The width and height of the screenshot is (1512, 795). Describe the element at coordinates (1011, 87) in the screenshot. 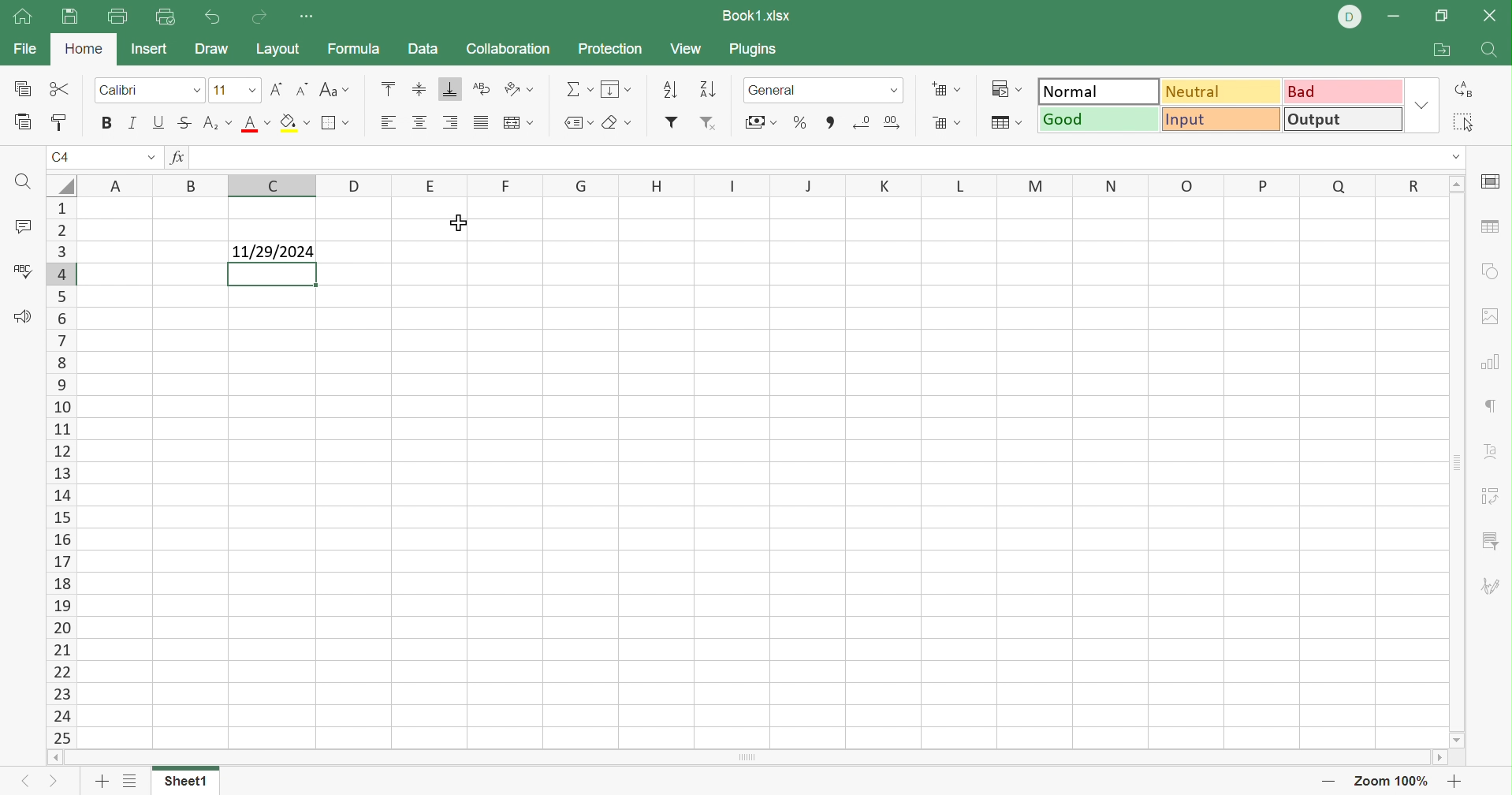

I see `Conditional formatting` at that location.